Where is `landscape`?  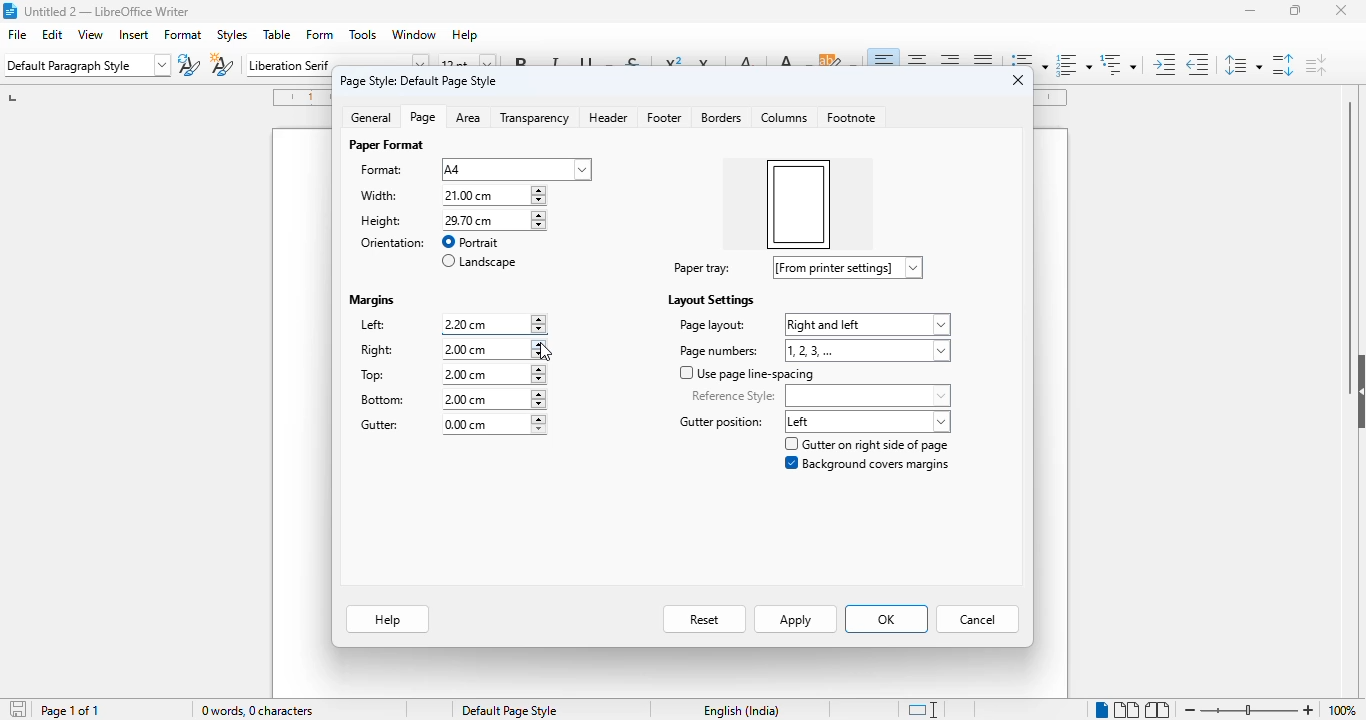
landscape is located at coordinates (480, 261).